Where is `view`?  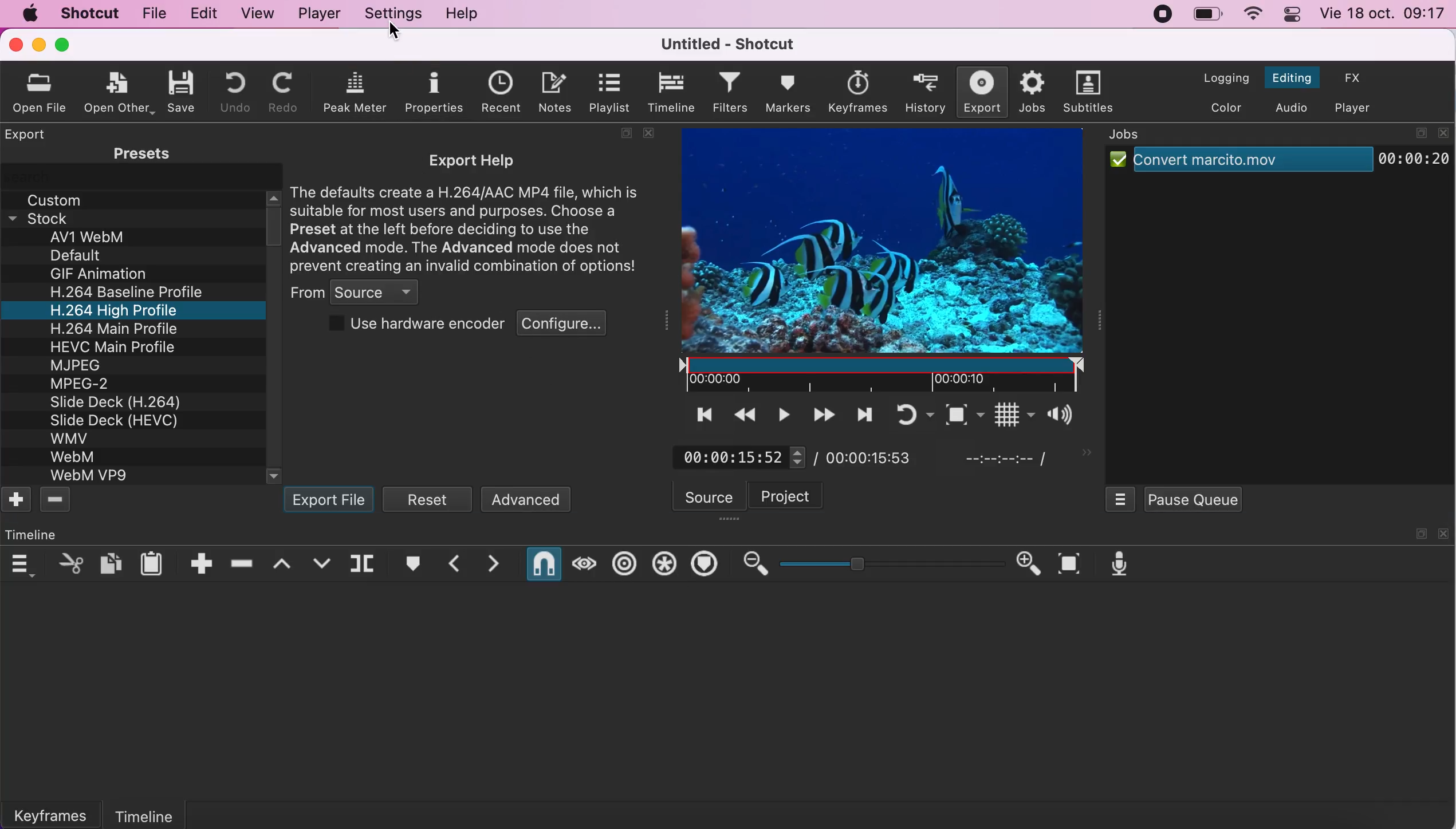 view is located at coordinates (255, 13).